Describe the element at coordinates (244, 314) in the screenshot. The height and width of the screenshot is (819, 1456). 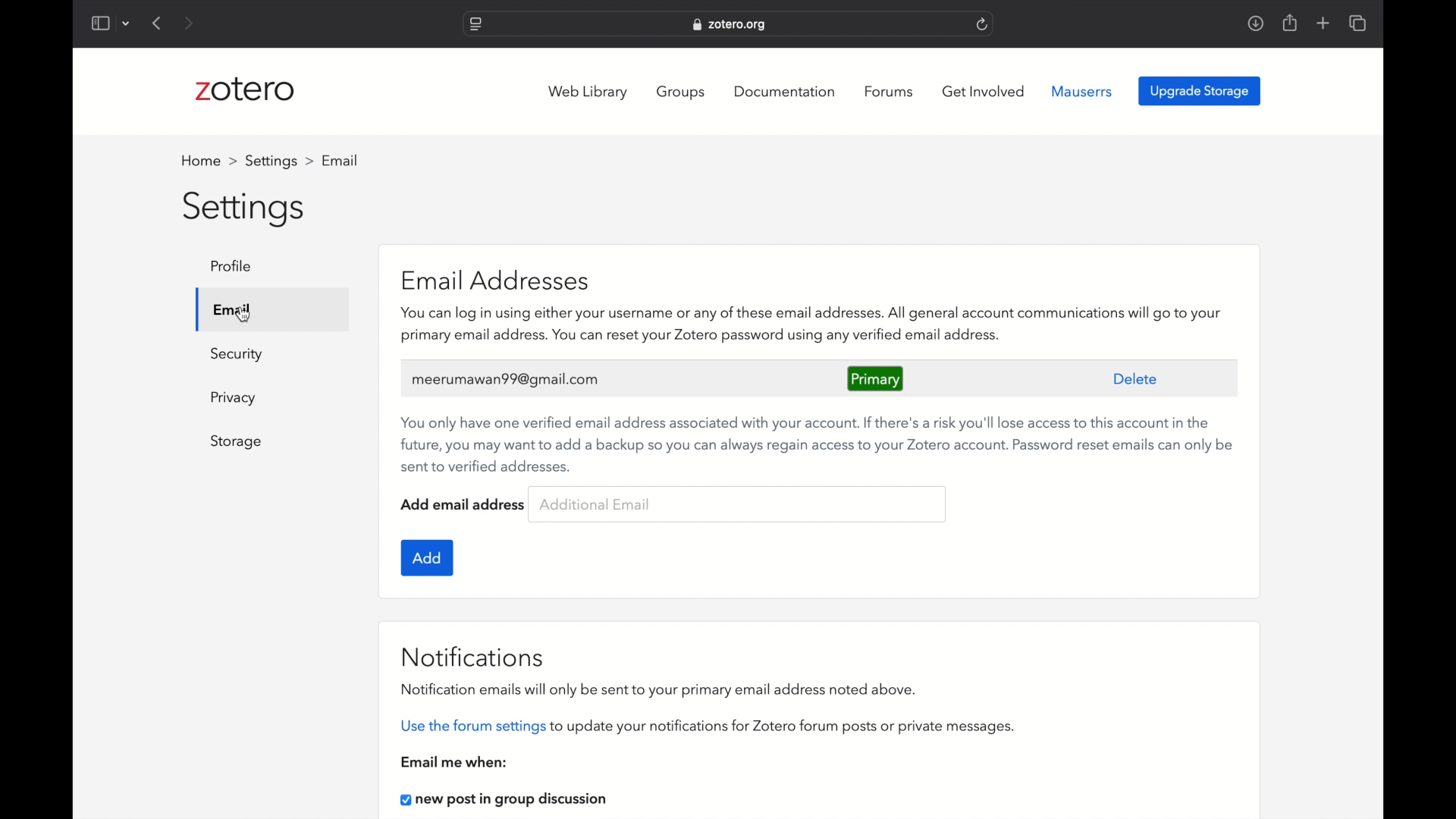
I see `cursor` at that location.